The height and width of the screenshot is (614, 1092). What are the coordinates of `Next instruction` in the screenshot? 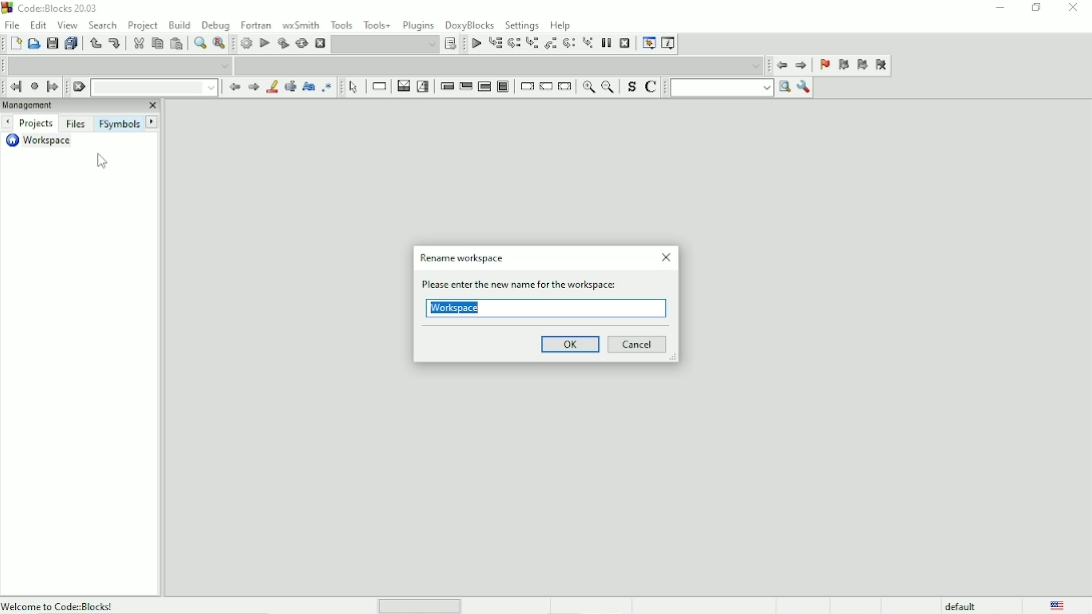 It's located at (569, 44).